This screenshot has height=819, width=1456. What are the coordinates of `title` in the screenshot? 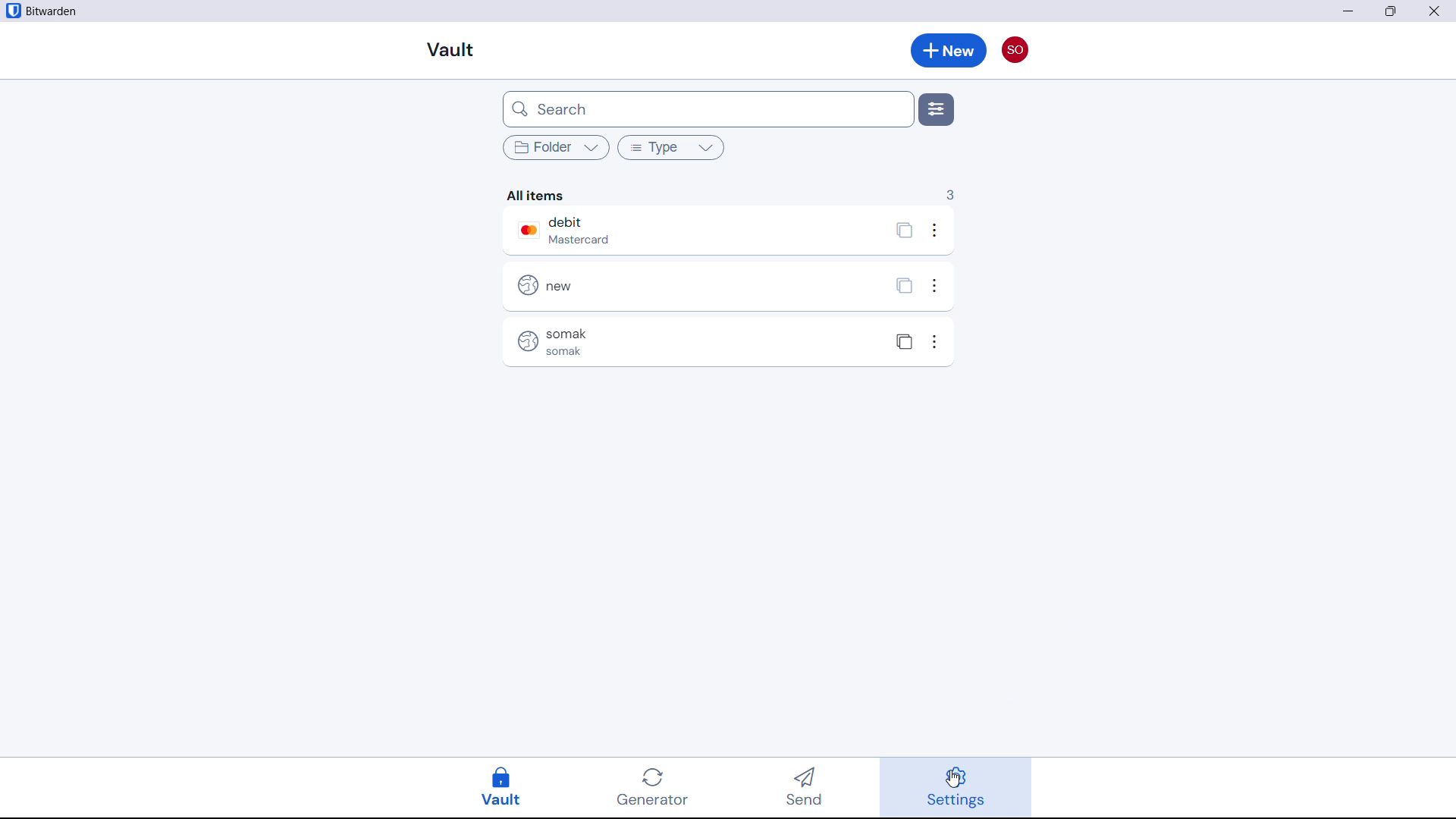 It's located at (52, 11).